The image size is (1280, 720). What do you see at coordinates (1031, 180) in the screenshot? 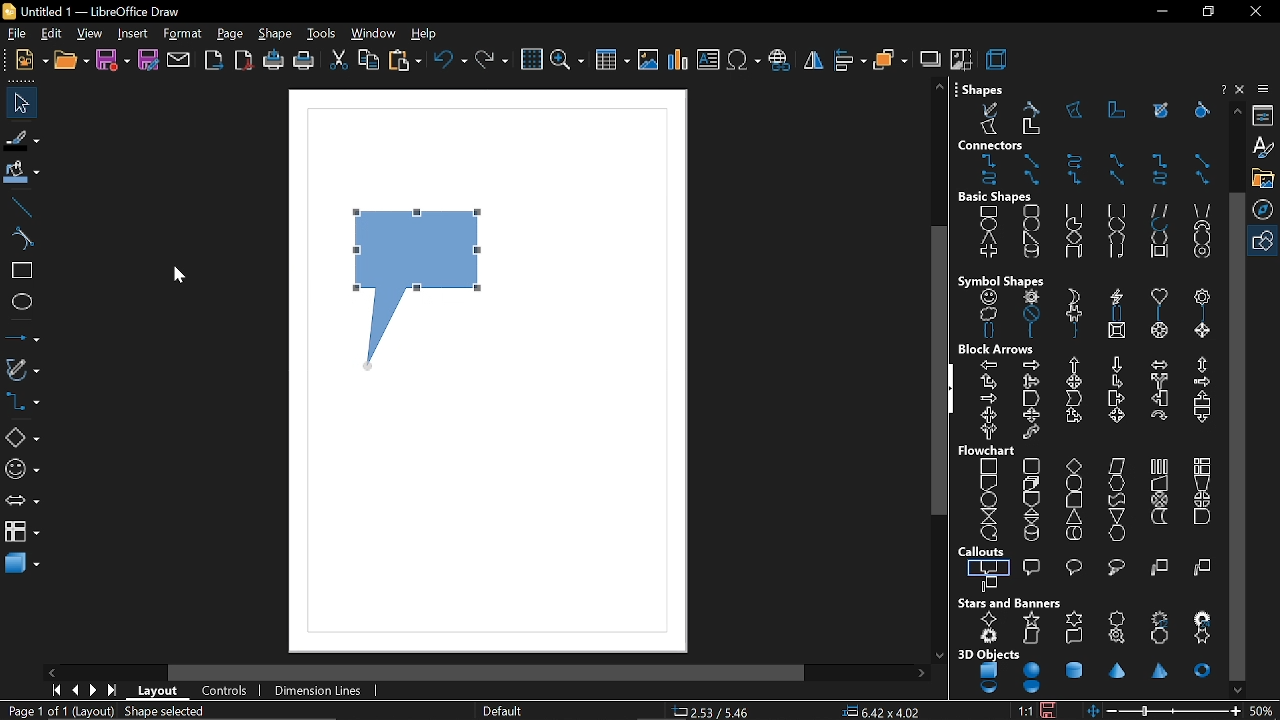
I see `line connector` at bounding box center [1031, 180].